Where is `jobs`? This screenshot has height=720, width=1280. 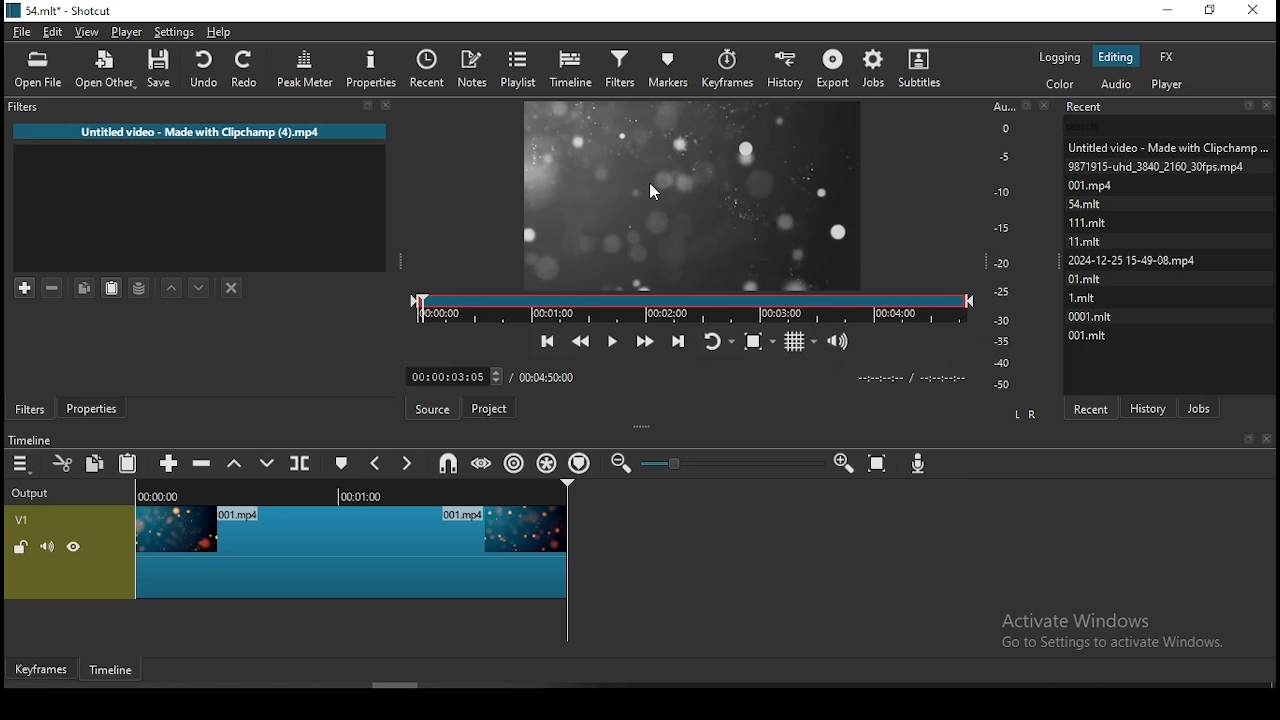 jobs is located at coordinates (873, 69).